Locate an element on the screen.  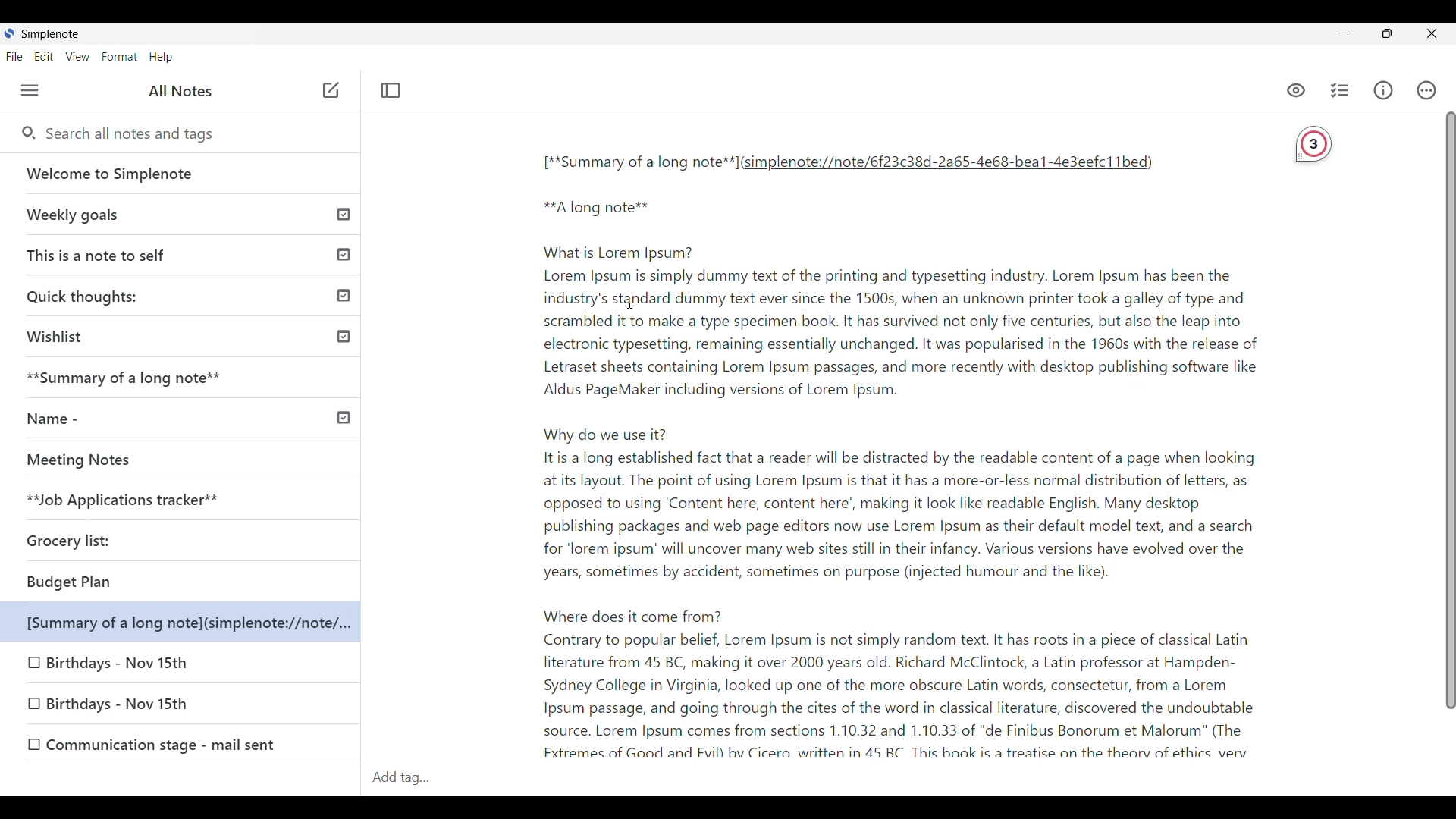
Edit is located at coordinates (44, 57).